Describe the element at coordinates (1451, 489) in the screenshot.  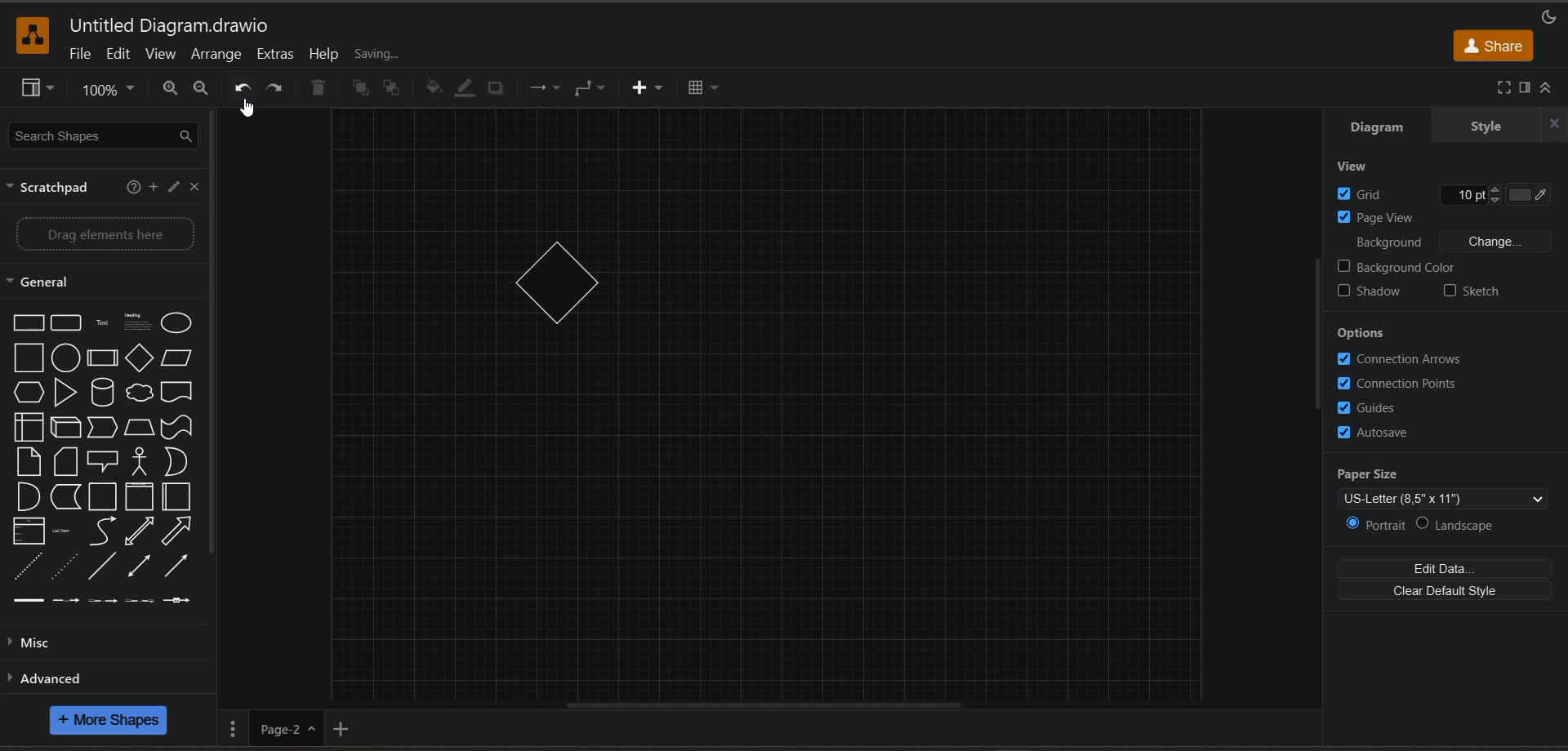
I see `paper size` at that location.